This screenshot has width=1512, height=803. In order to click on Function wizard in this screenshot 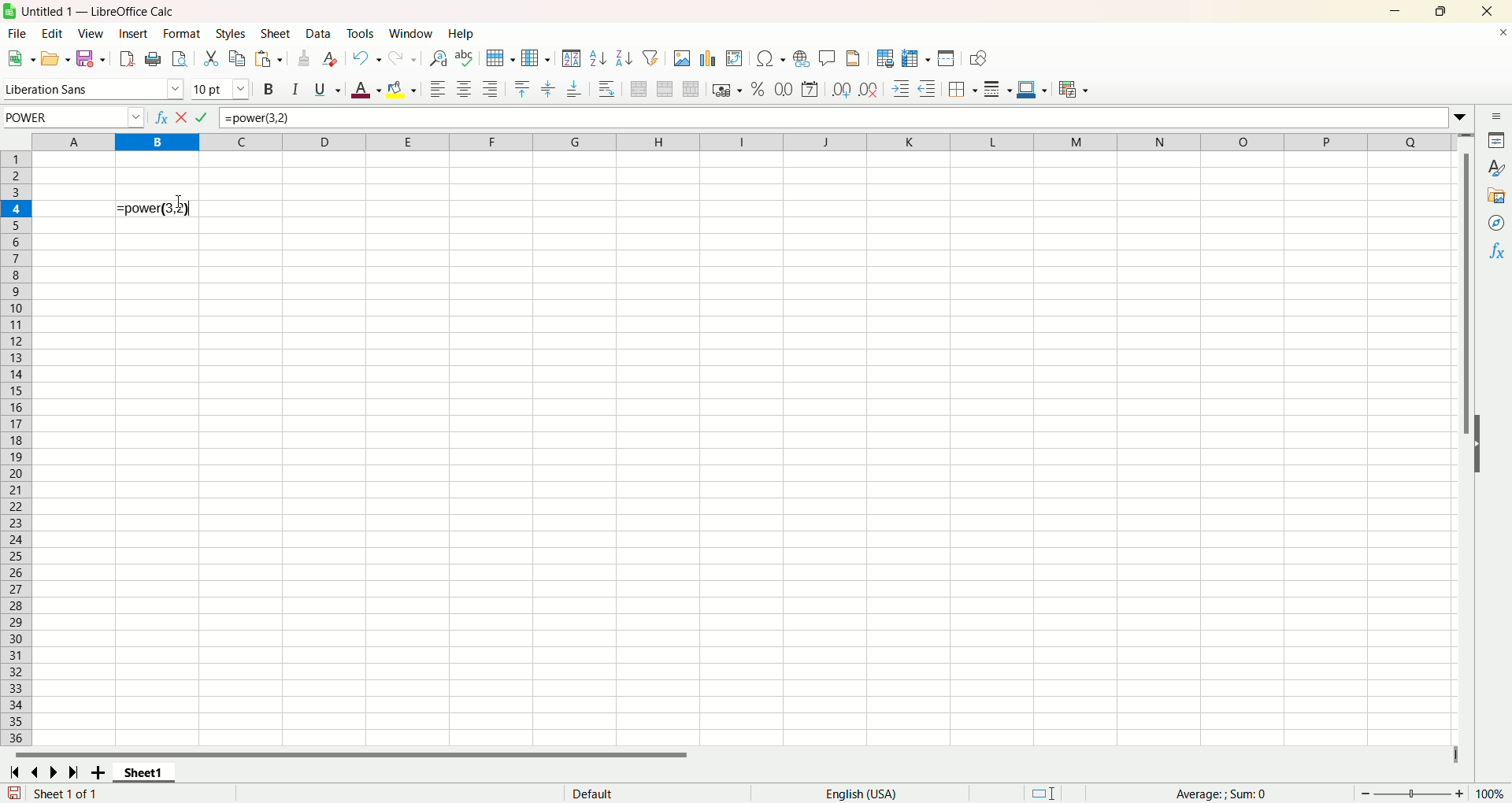, I will do `click(160, 117)`.